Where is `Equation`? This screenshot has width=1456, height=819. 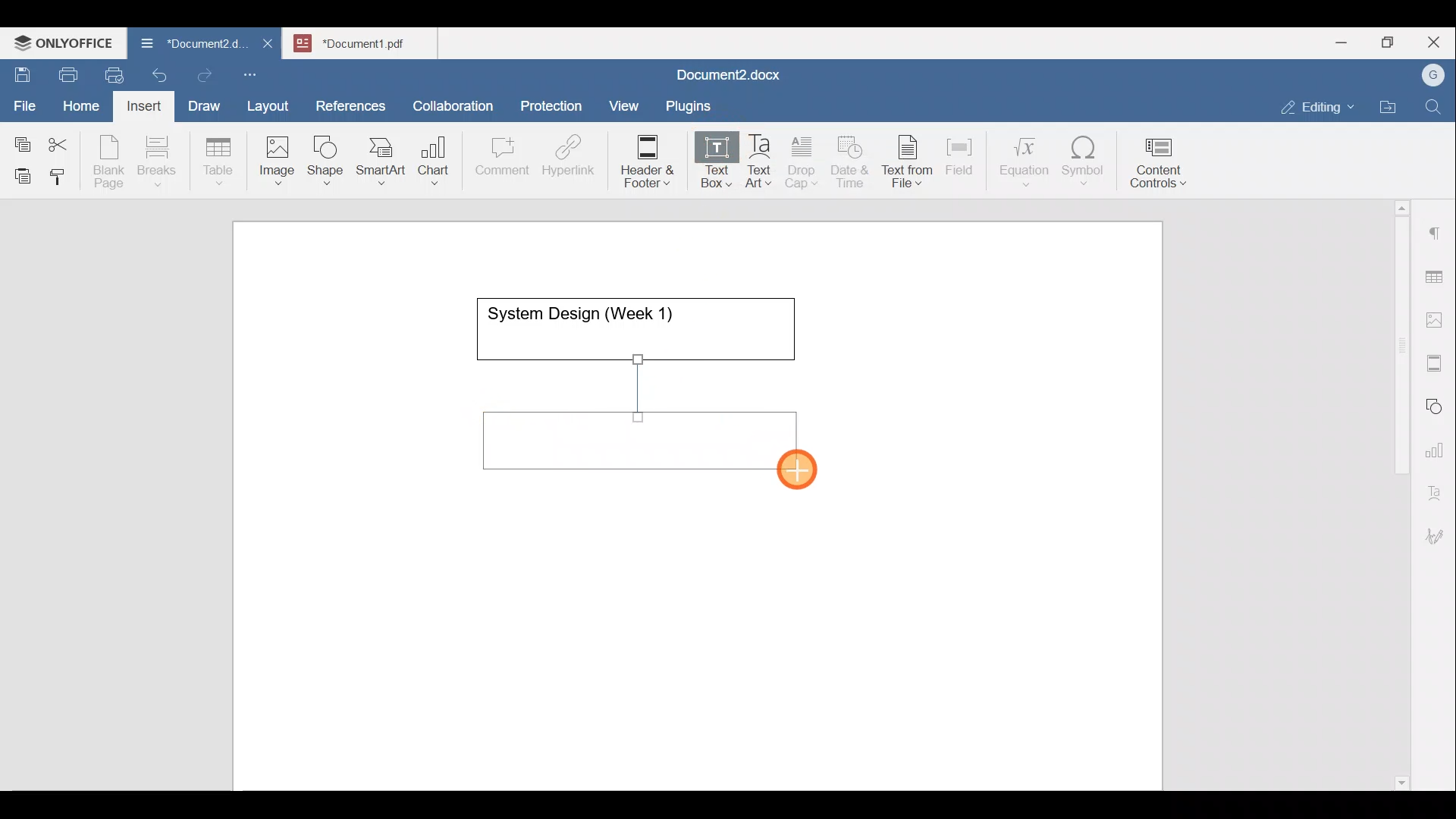
Equation is located at coordinates (1028, 161).